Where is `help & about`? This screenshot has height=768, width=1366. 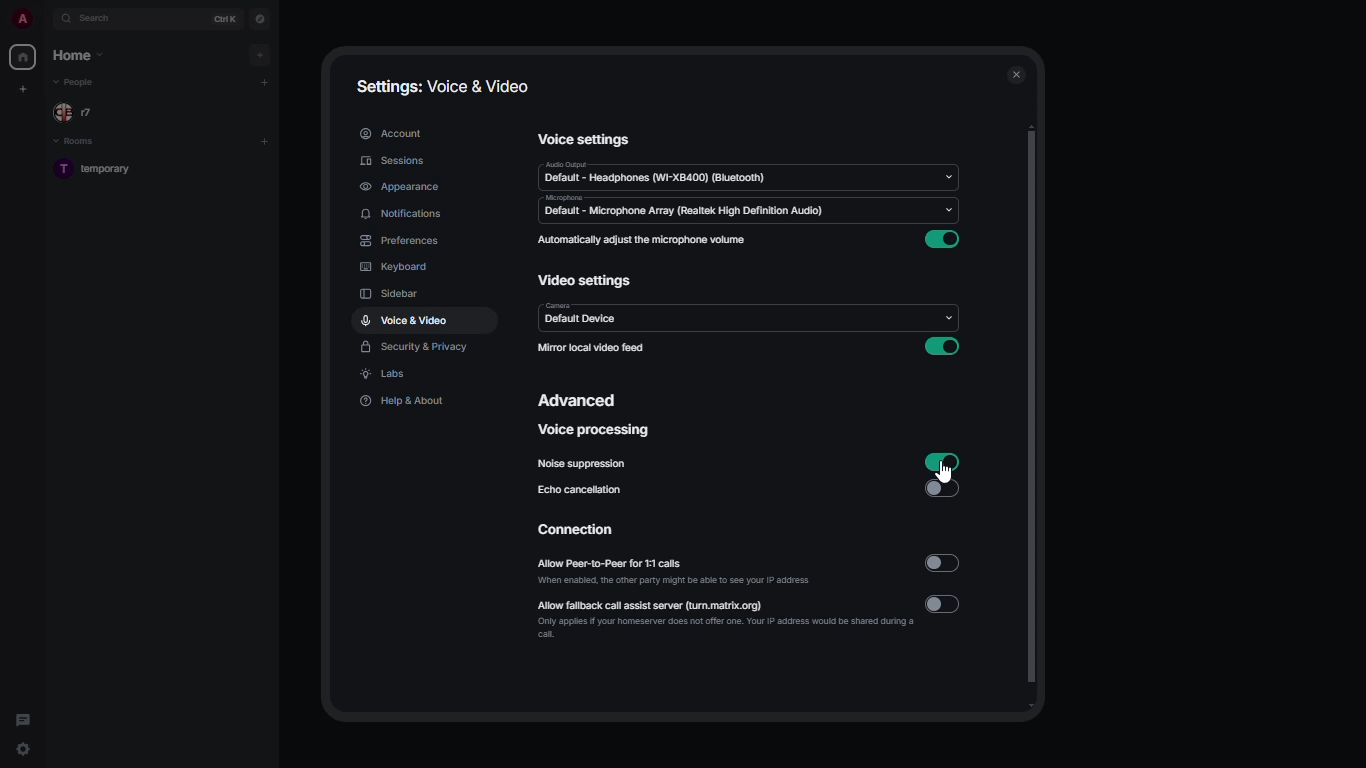
help & about is located at coordinates (404, 402).